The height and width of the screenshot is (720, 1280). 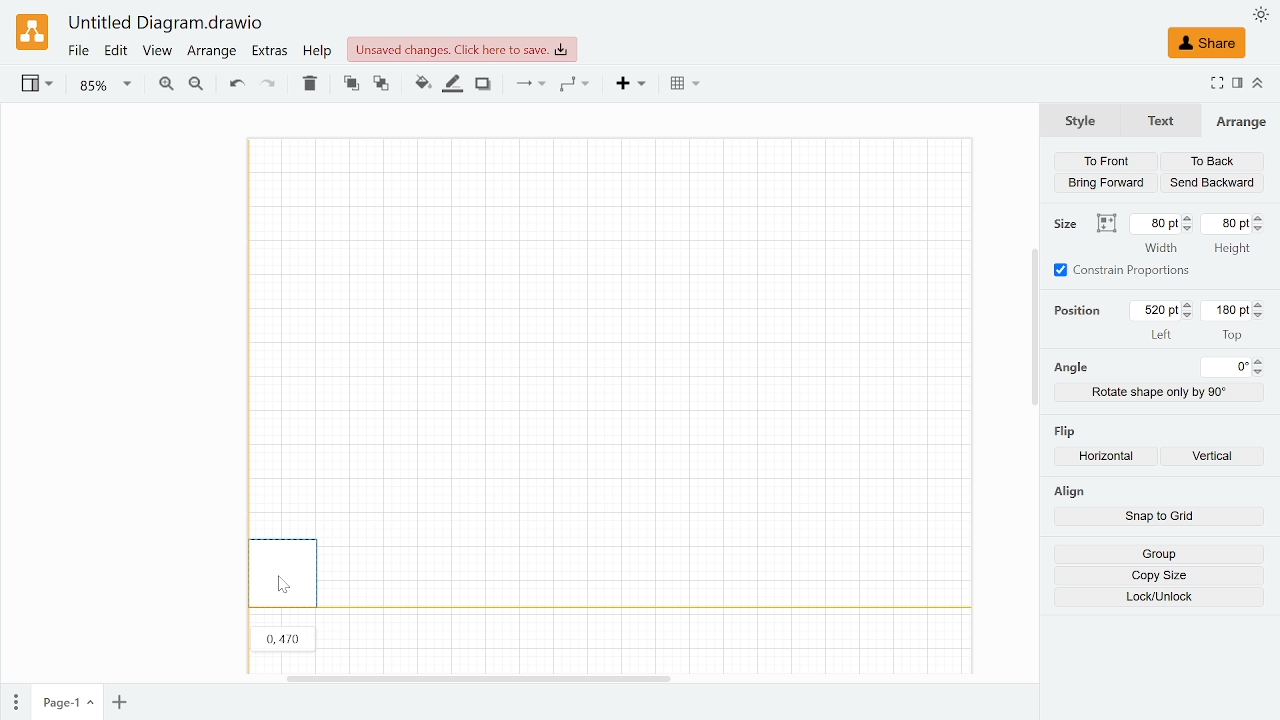 I want to click on Bring forward, so click(x=1108, y=182).